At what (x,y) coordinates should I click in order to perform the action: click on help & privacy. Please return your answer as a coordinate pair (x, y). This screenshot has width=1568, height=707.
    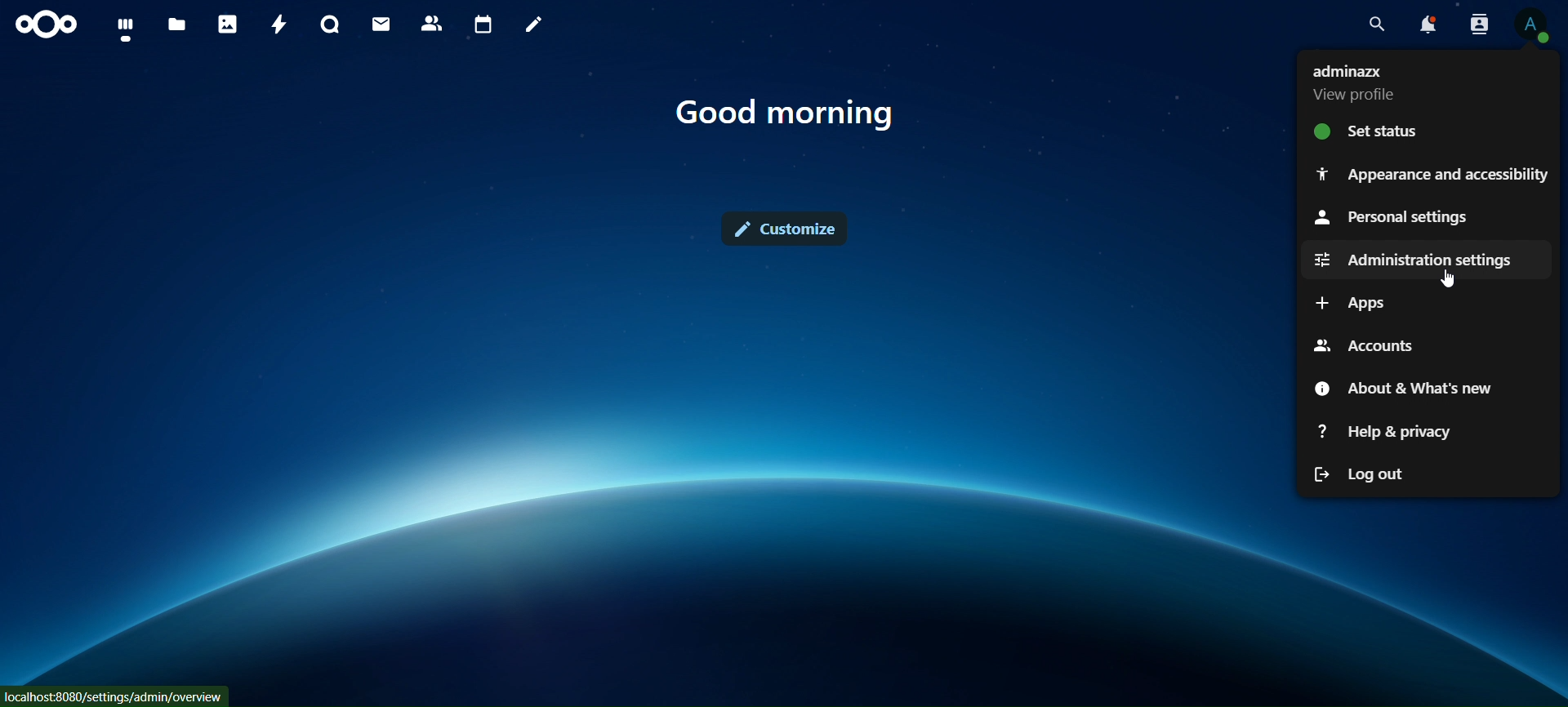
    Looking at the image, I should click on (1390, 433).